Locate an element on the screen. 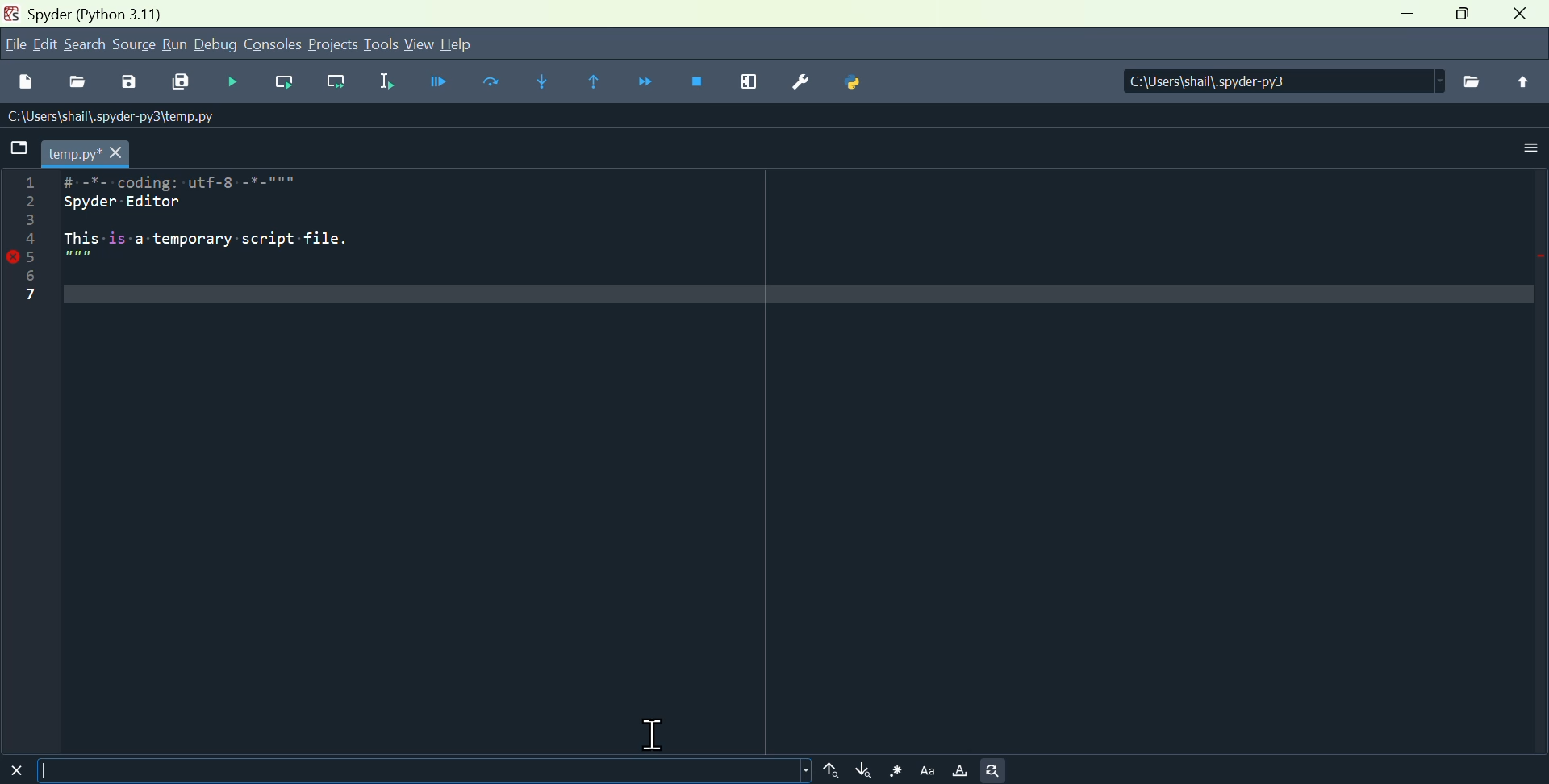  Projects is located at coordinates (337, 46).